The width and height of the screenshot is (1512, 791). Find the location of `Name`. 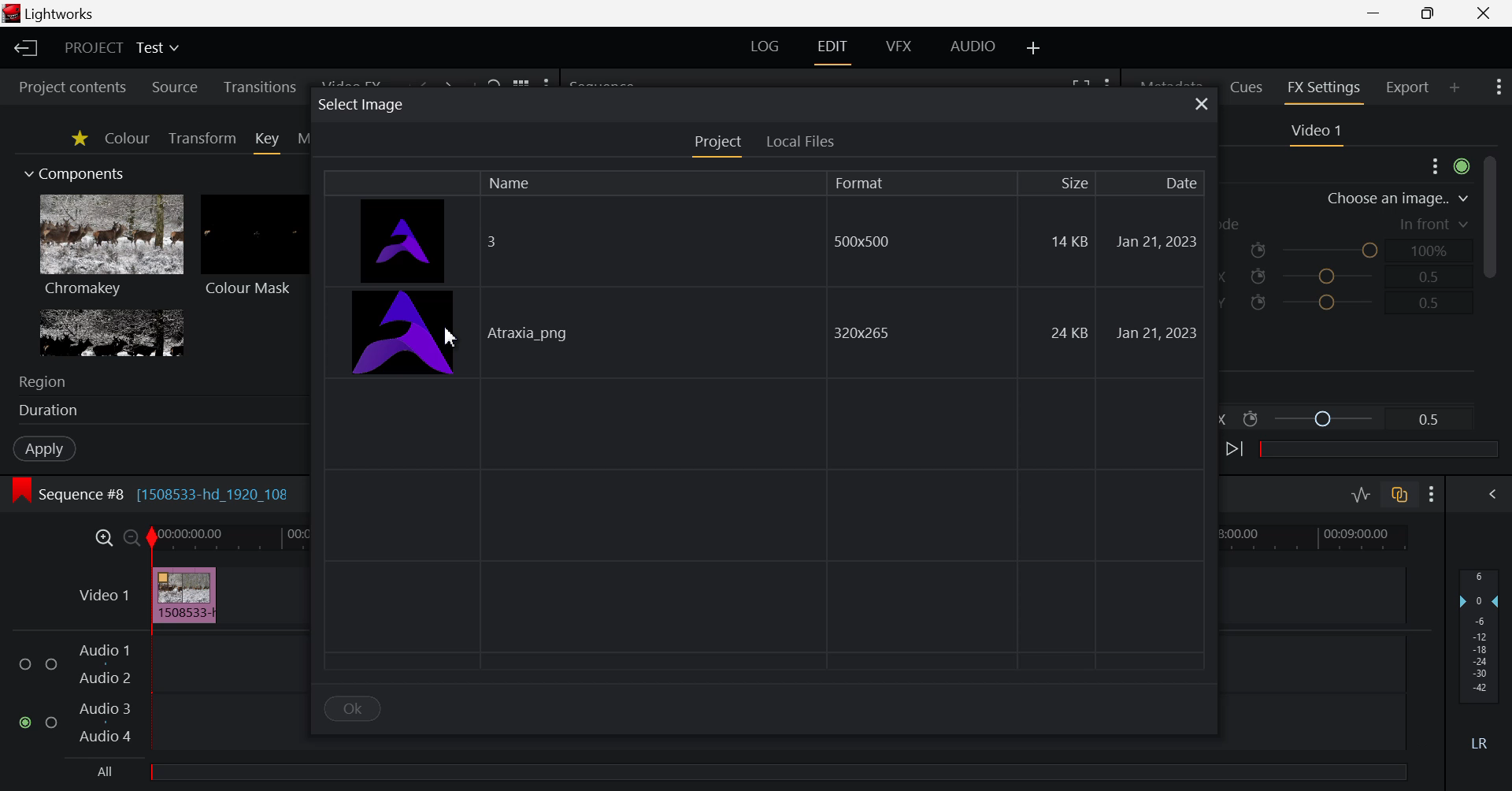

Name is located at coordinates (509, 183).